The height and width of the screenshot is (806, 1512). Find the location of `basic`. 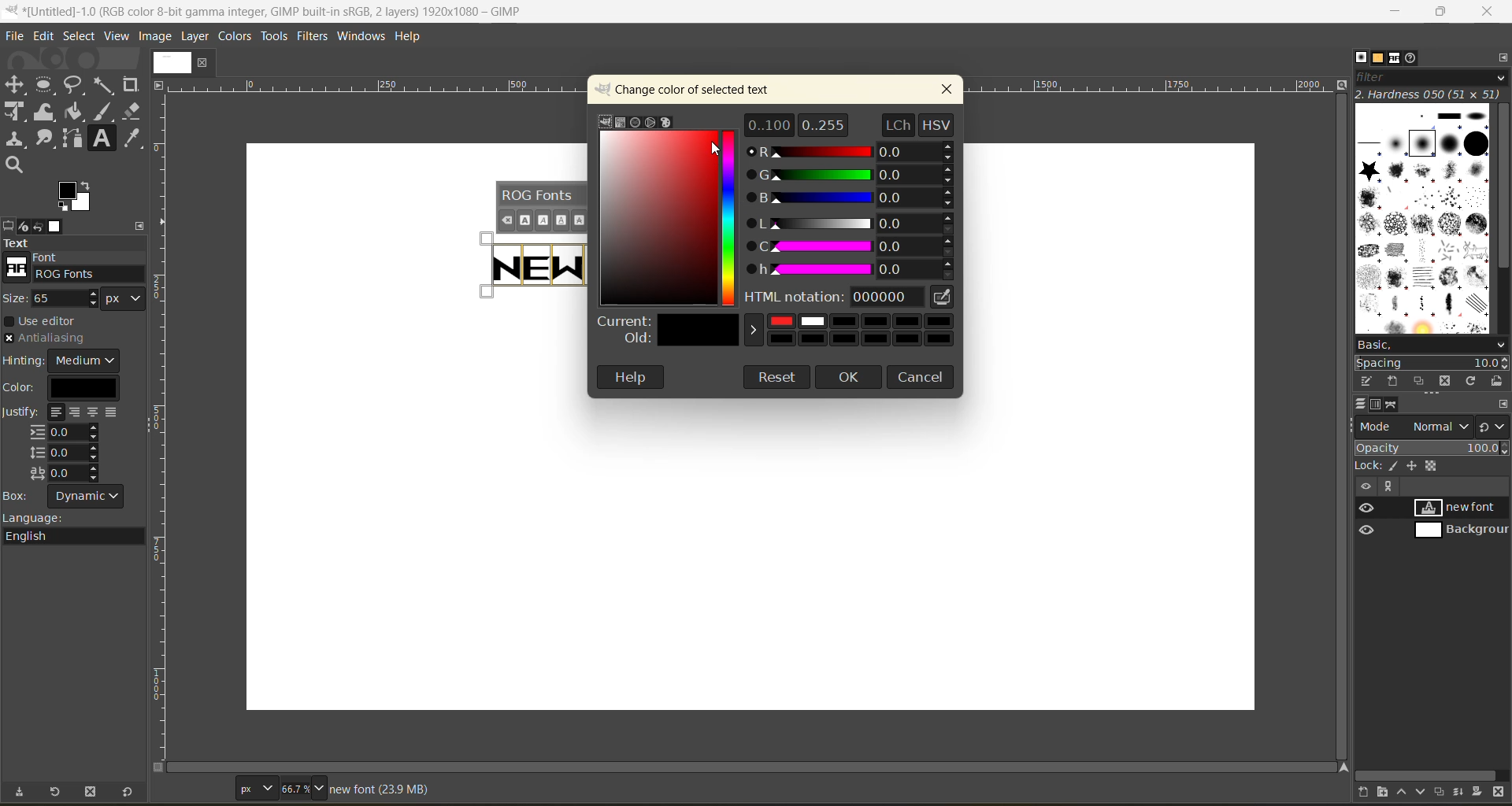

basic is located at coordinates (1432, 346).